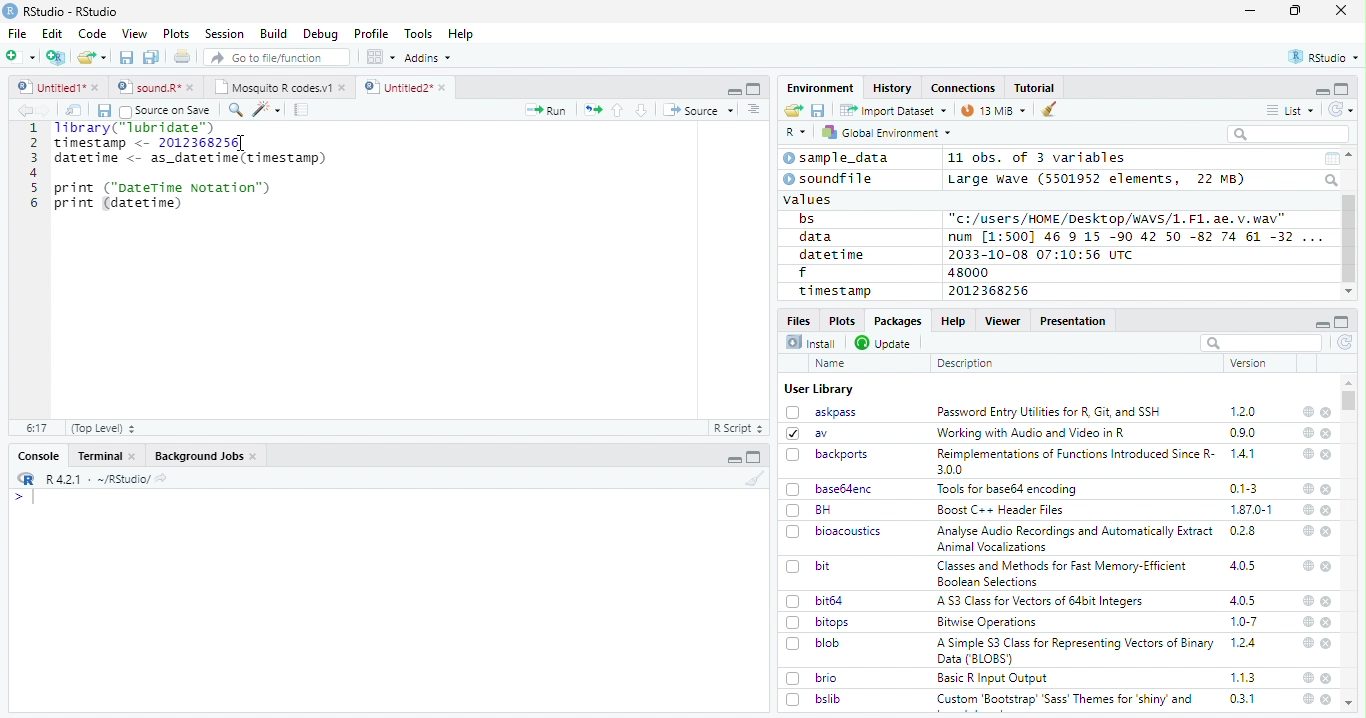 This screenshot has height=718, width=1366. What do you see at coordinates (1245, 642) in the screenshot?
I see `1.2.4` at bounding box center [1245, 642].